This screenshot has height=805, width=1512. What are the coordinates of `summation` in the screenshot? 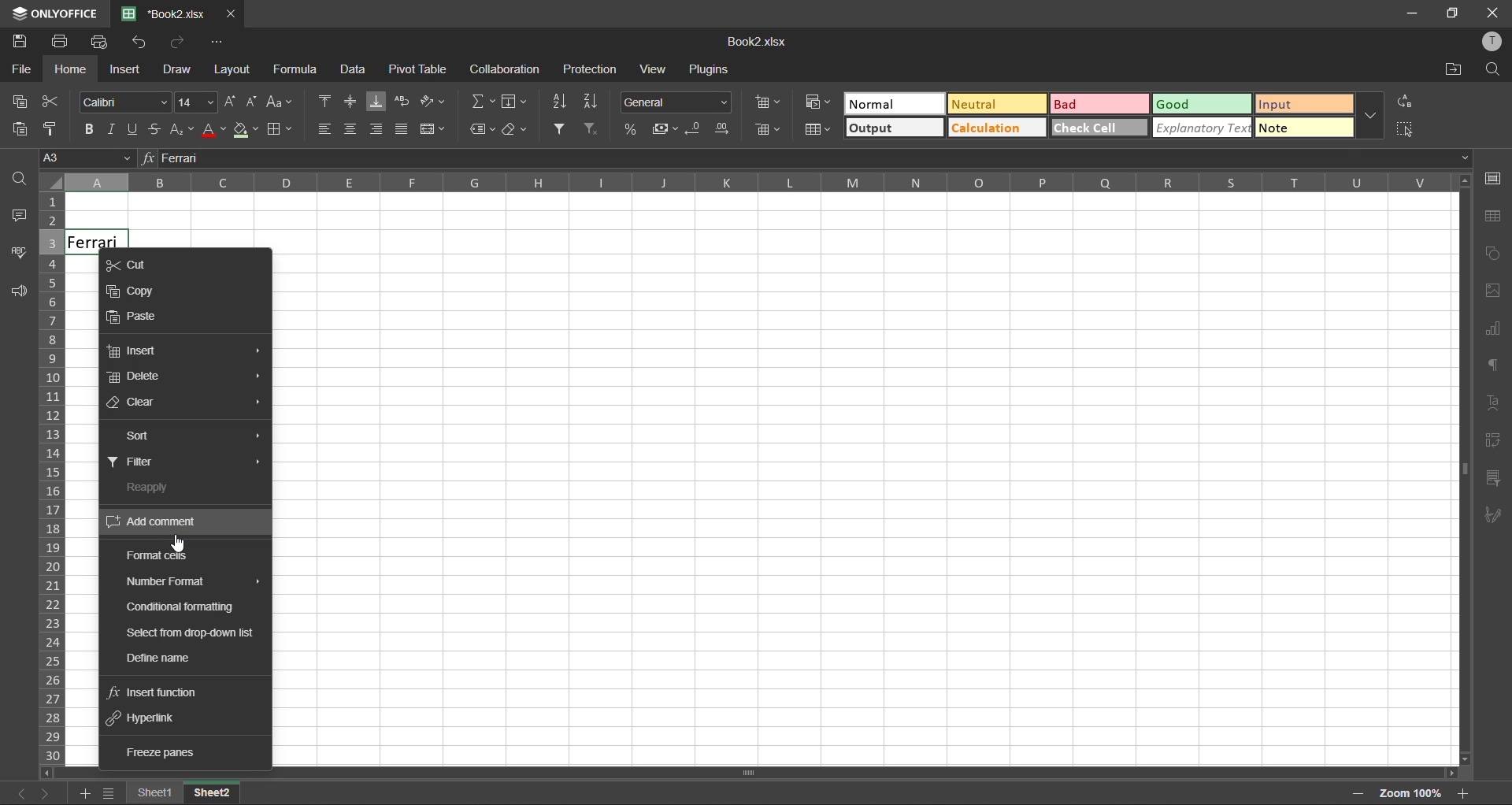 It's located at (481, 101).